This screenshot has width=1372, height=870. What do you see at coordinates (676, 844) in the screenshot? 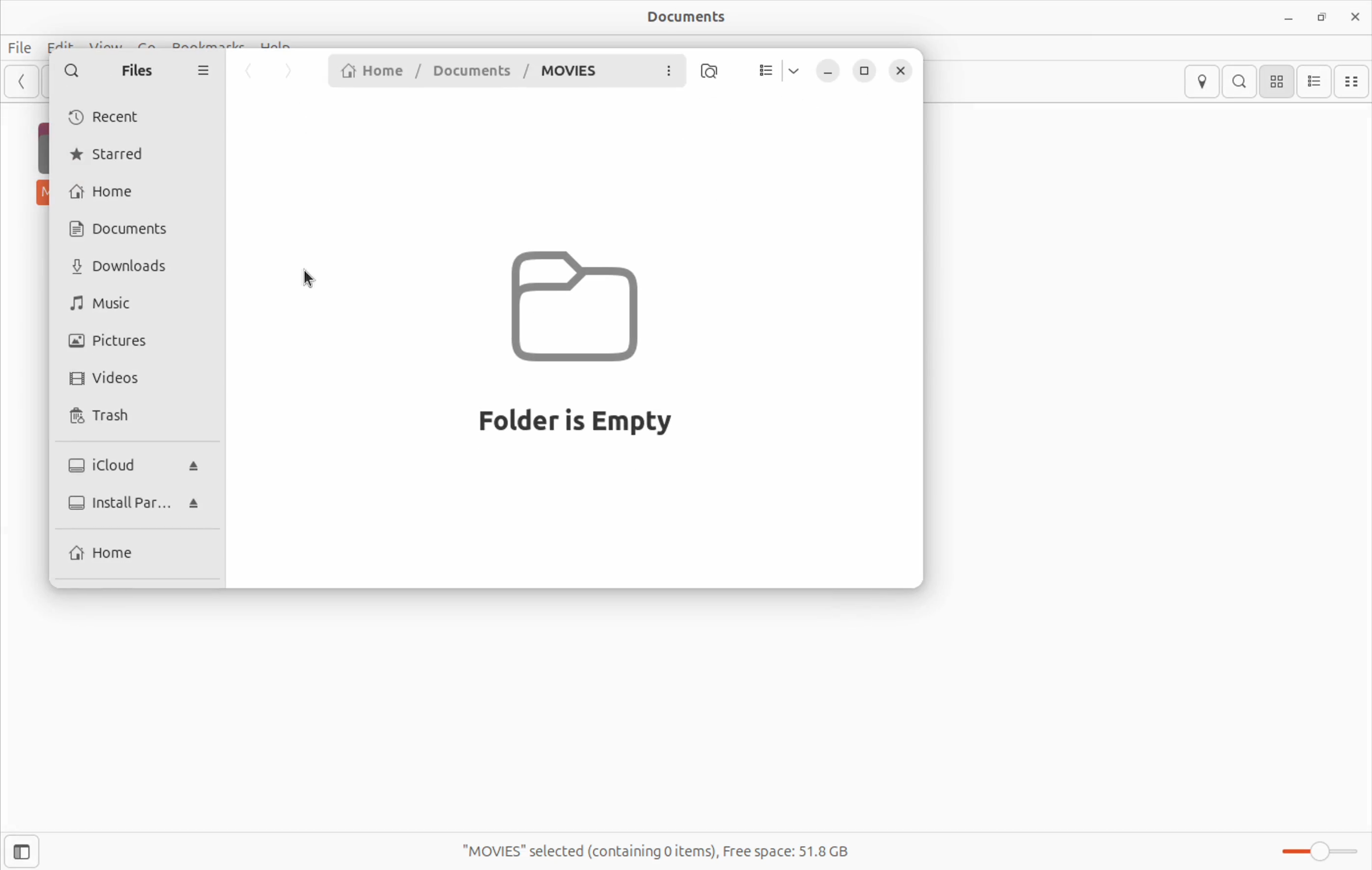
I see `"MOVIES" selected (containing 0 items), Free space: 51.8 GB` at bounding box center [676, 844].